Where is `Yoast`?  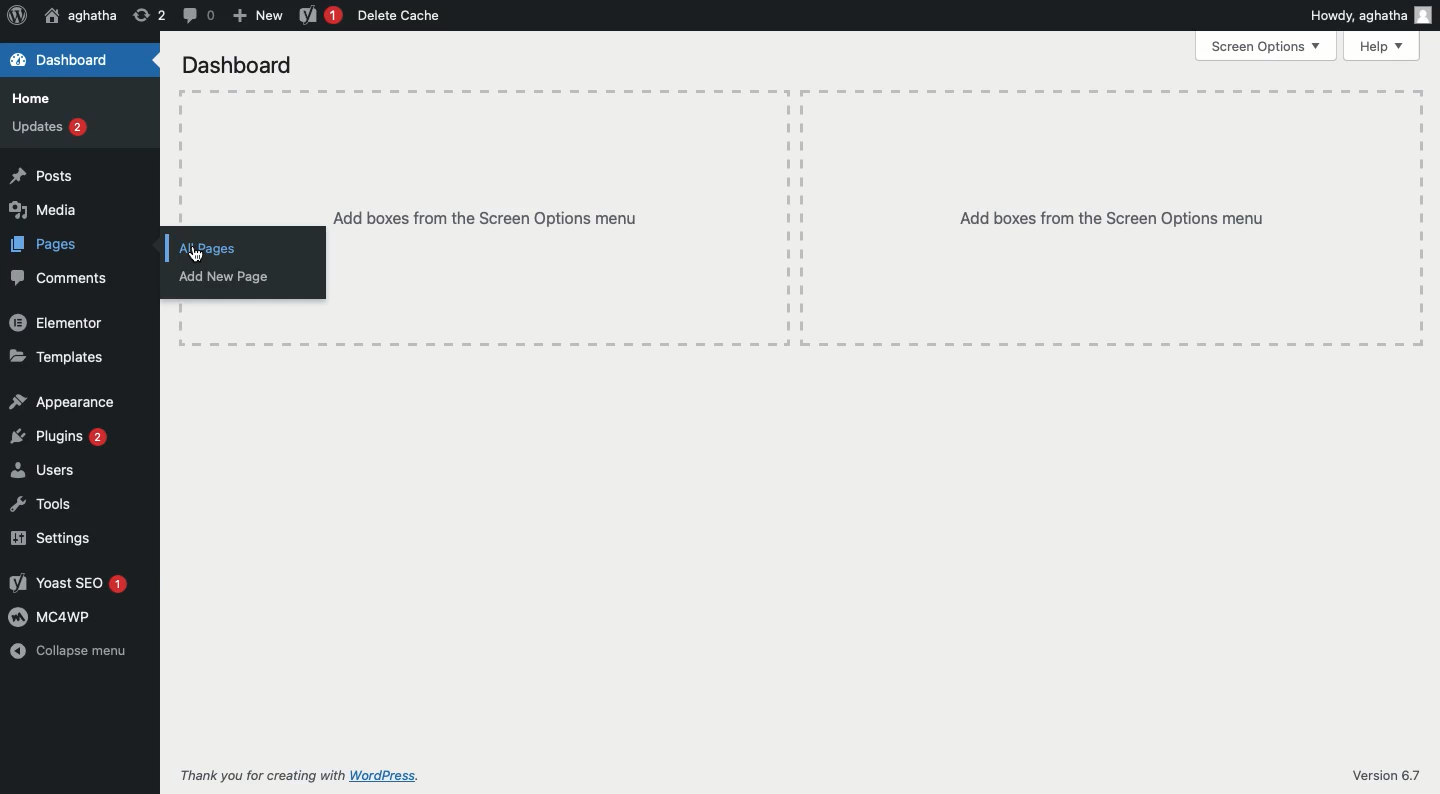
Yoast is located at coordinates (317, 15).